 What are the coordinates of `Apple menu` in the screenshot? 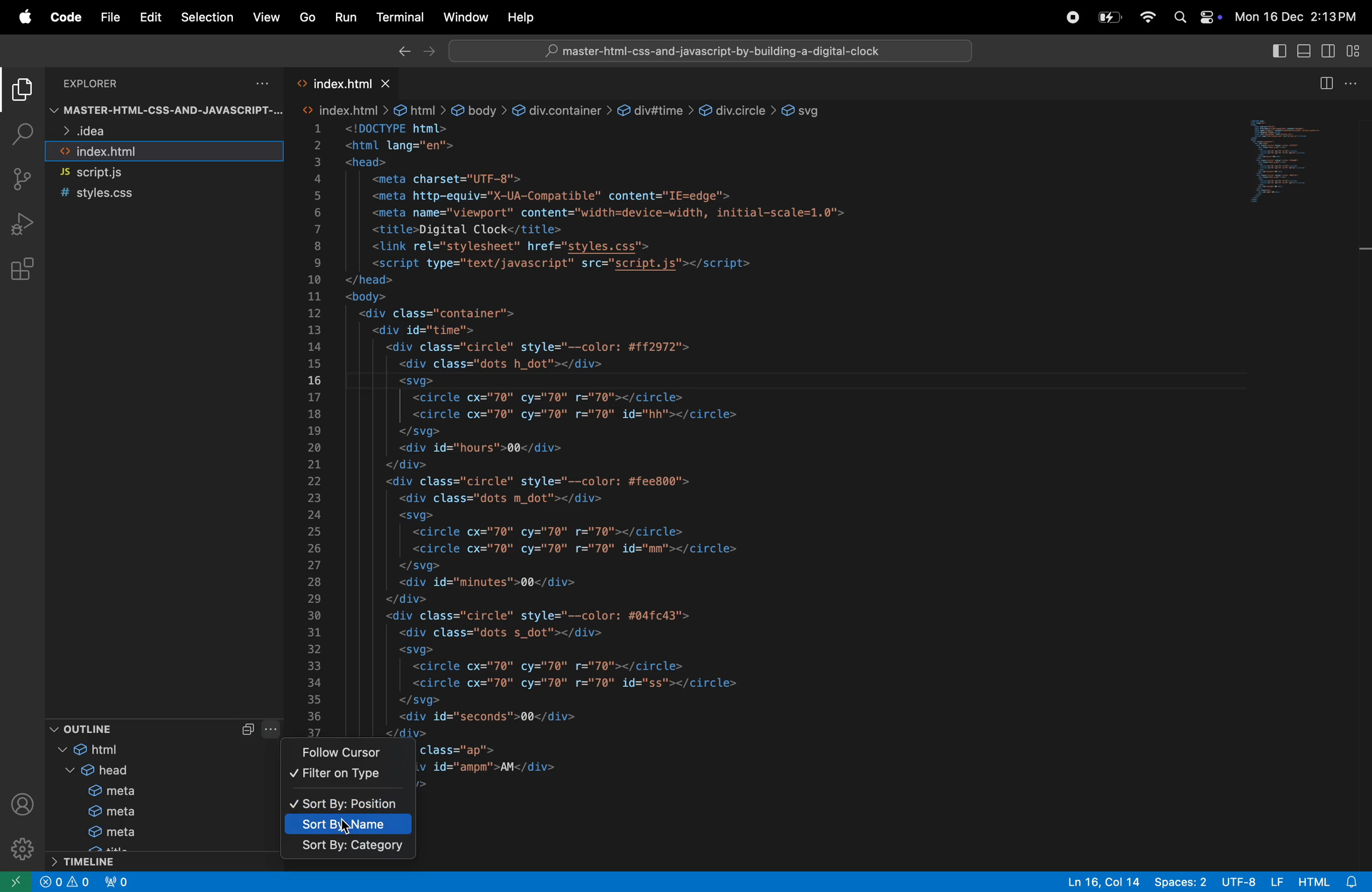 It's located at (18, 16).